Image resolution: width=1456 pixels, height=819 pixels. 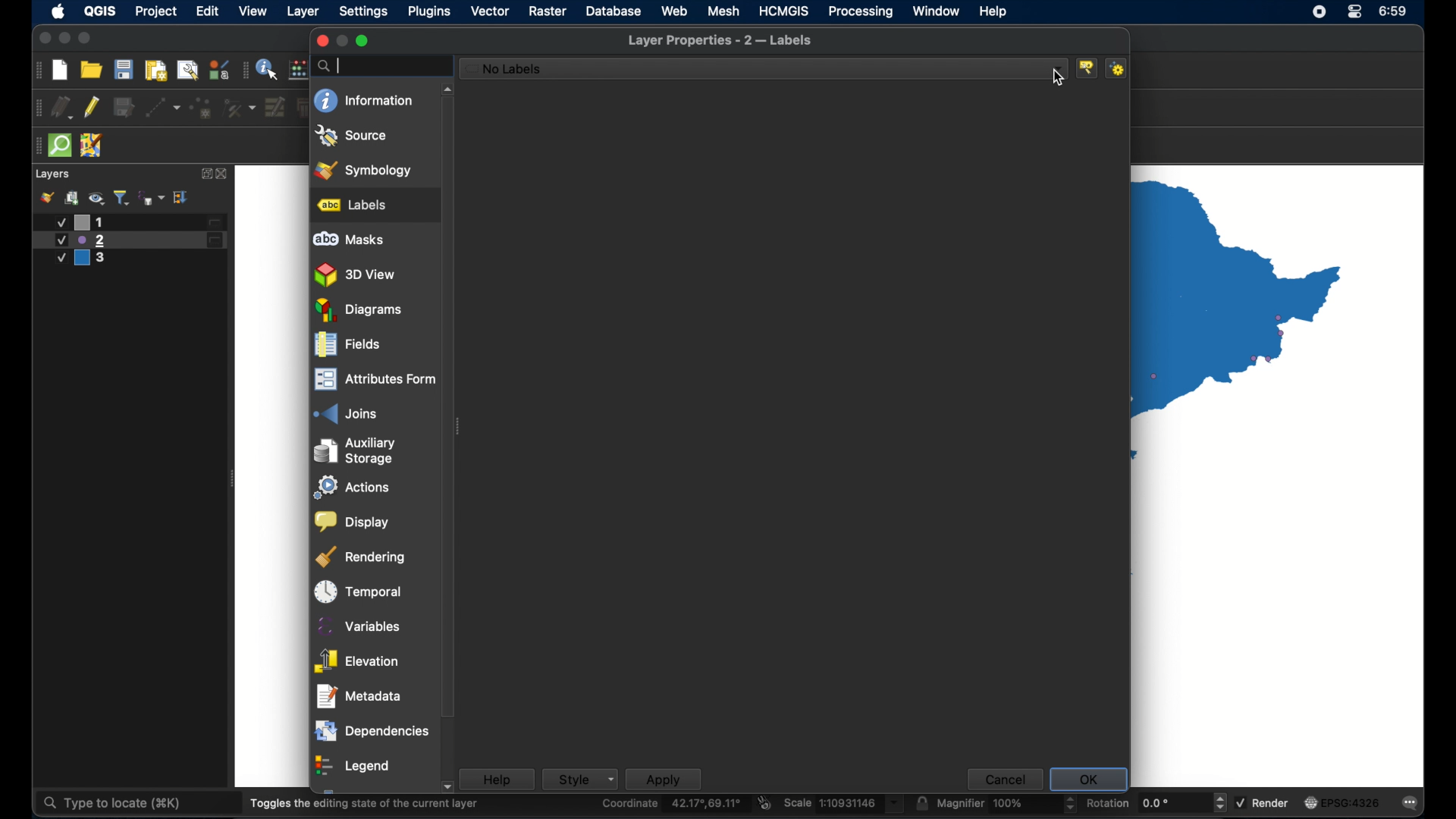 What do you see at coordinates (371, 732) in the screenshot?
I see `dependencies` at bounding box center [371, 732].